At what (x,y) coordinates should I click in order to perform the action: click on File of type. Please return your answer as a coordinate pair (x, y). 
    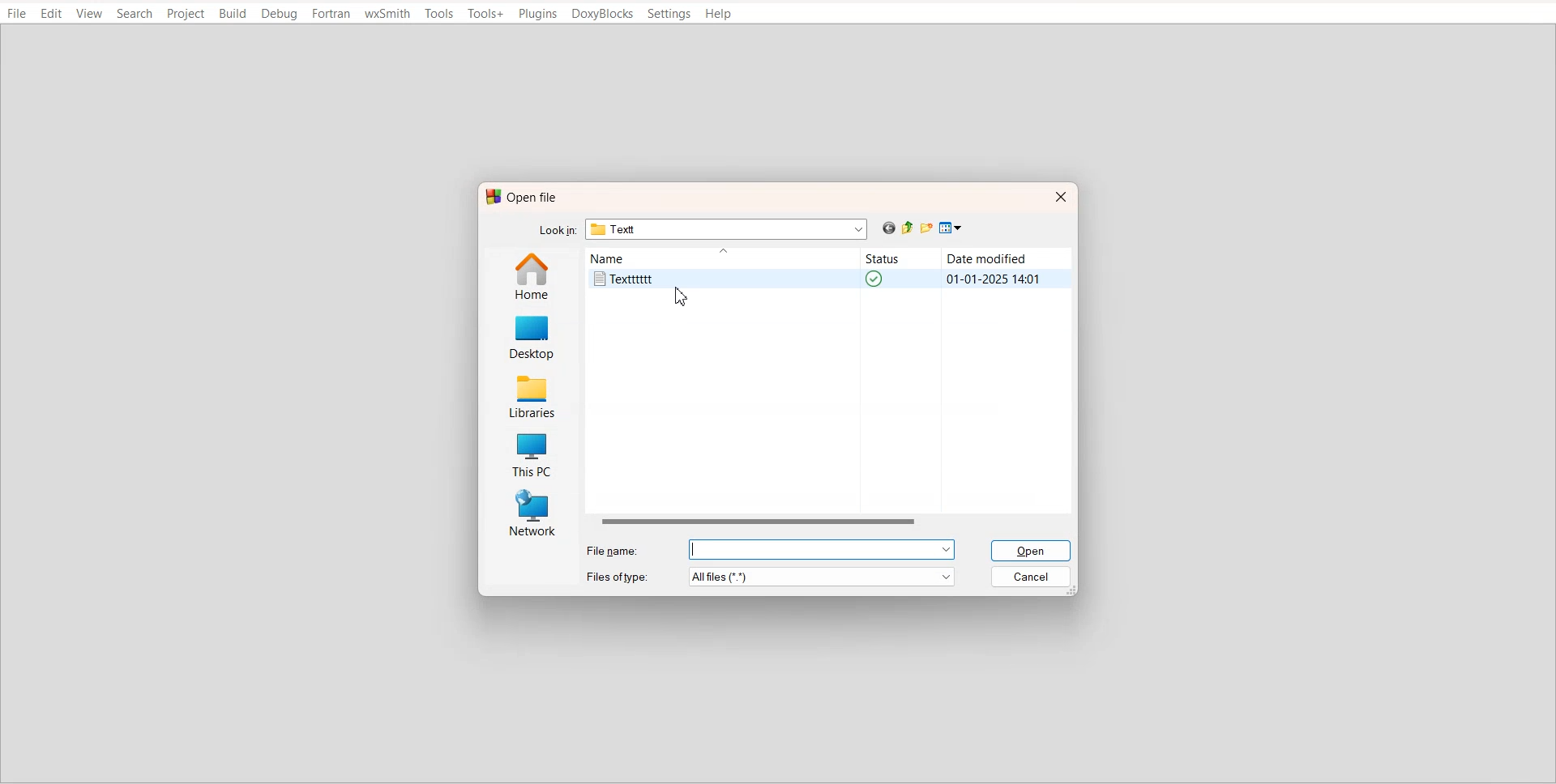
    Looking at the image, I should click on (770, 577).